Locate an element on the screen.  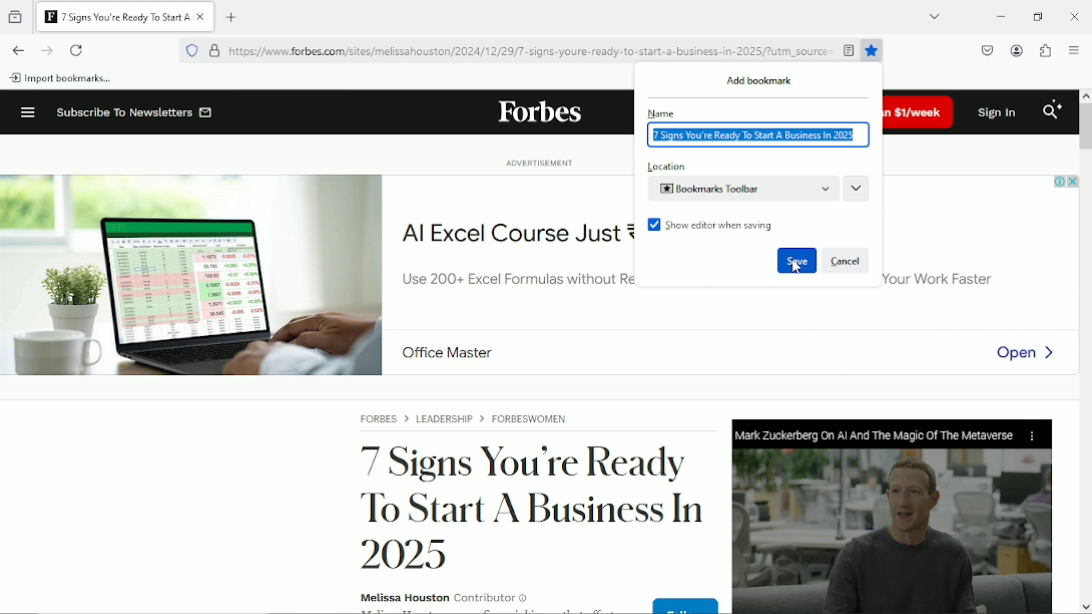
Save to pocket is located at coordinates (987, 49).